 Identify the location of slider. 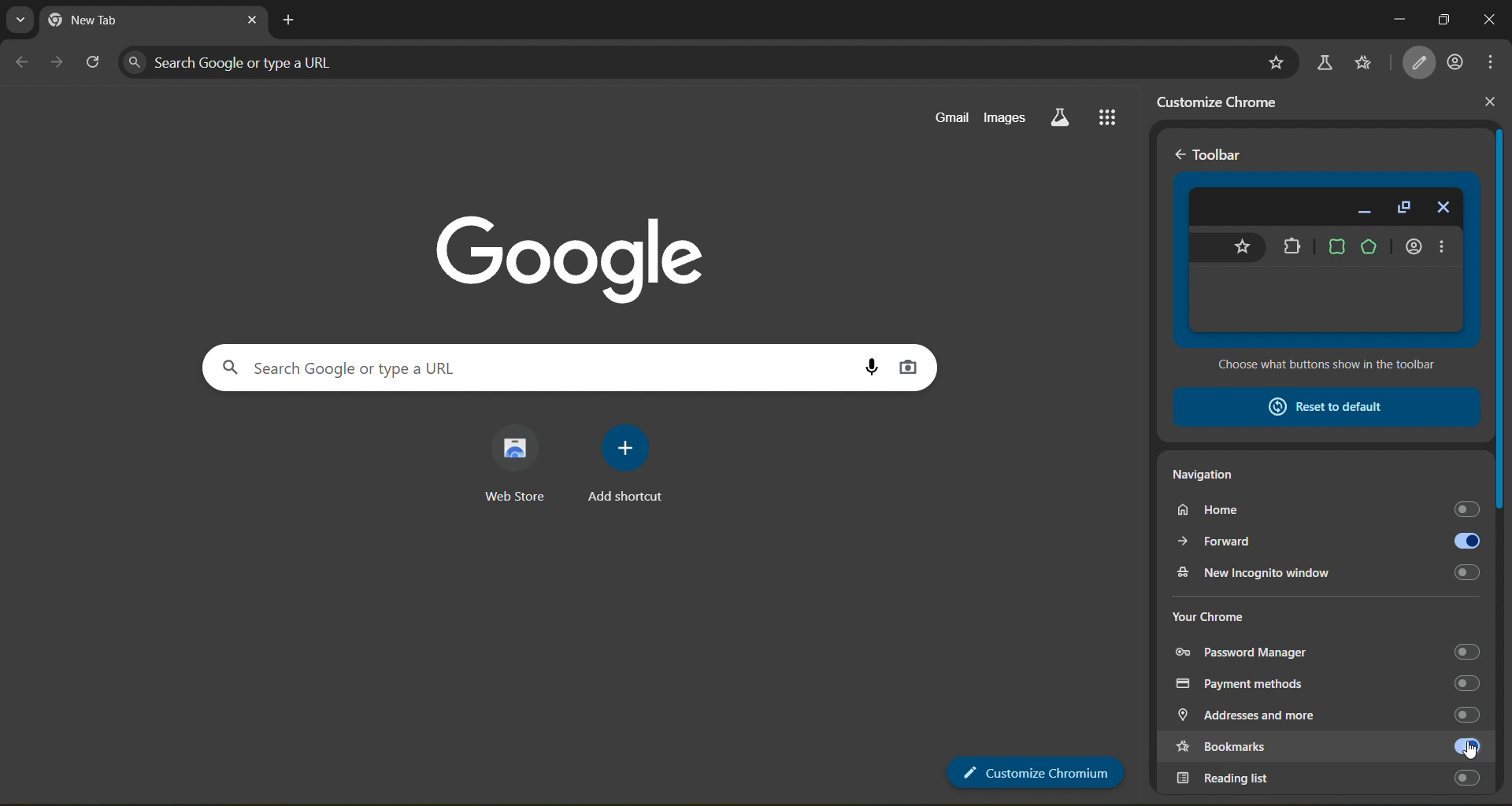
(1503, 427).